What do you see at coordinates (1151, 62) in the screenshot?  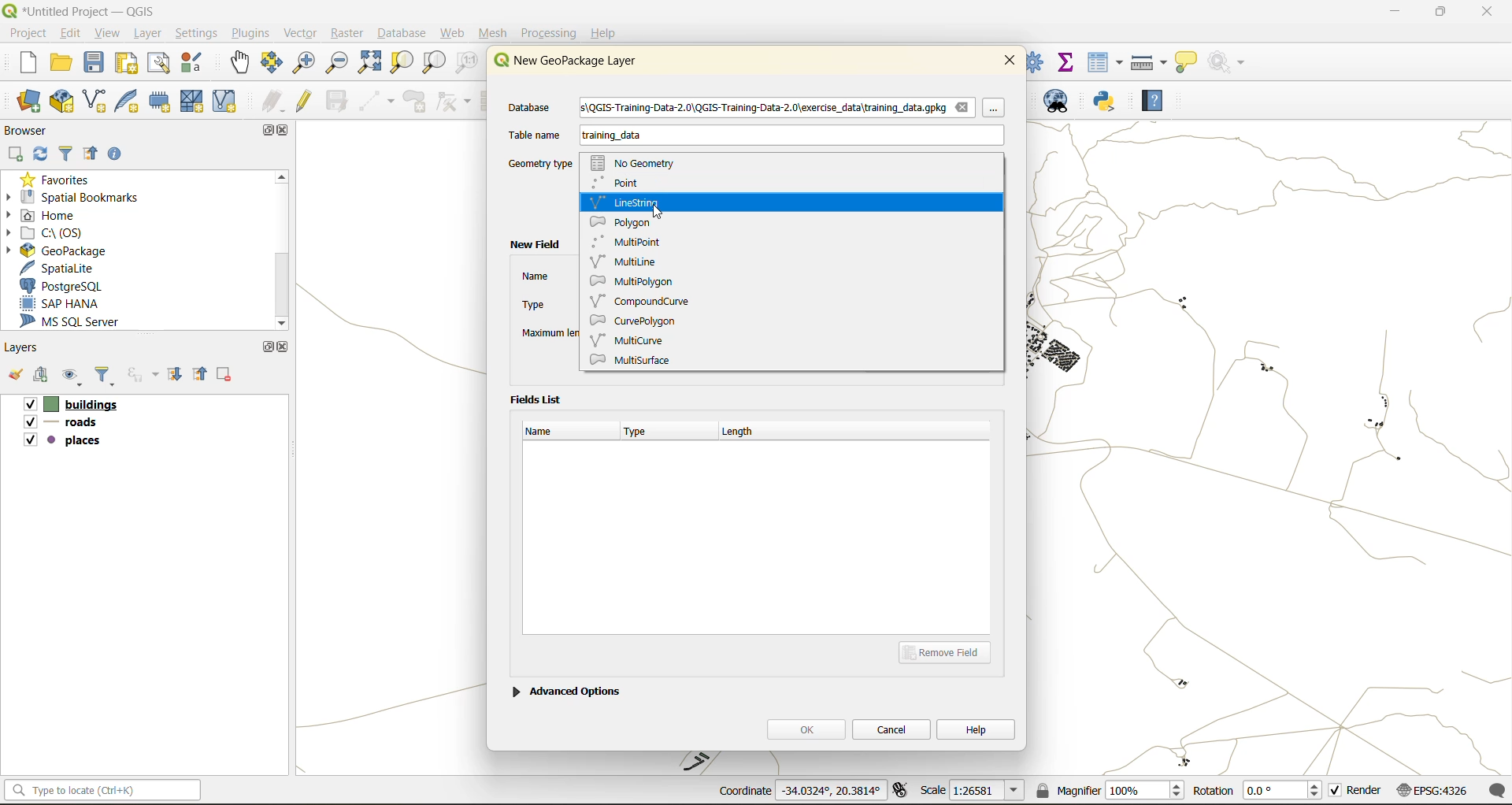 I see `measure line` at bounding box center [1151, 62].